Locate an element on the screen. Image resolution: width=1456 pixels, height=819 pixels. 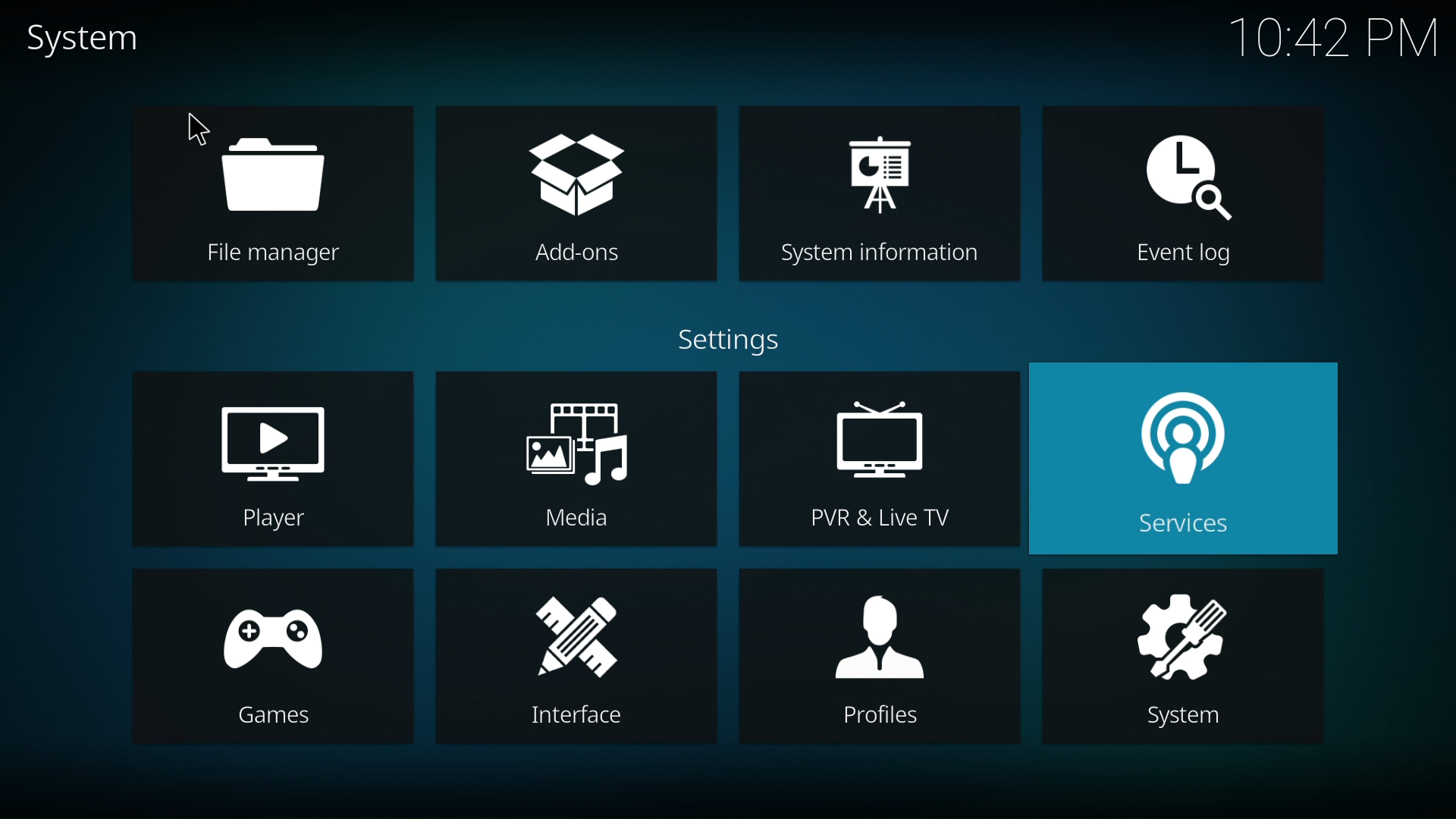
event log is located at coordinates (1180, 195).